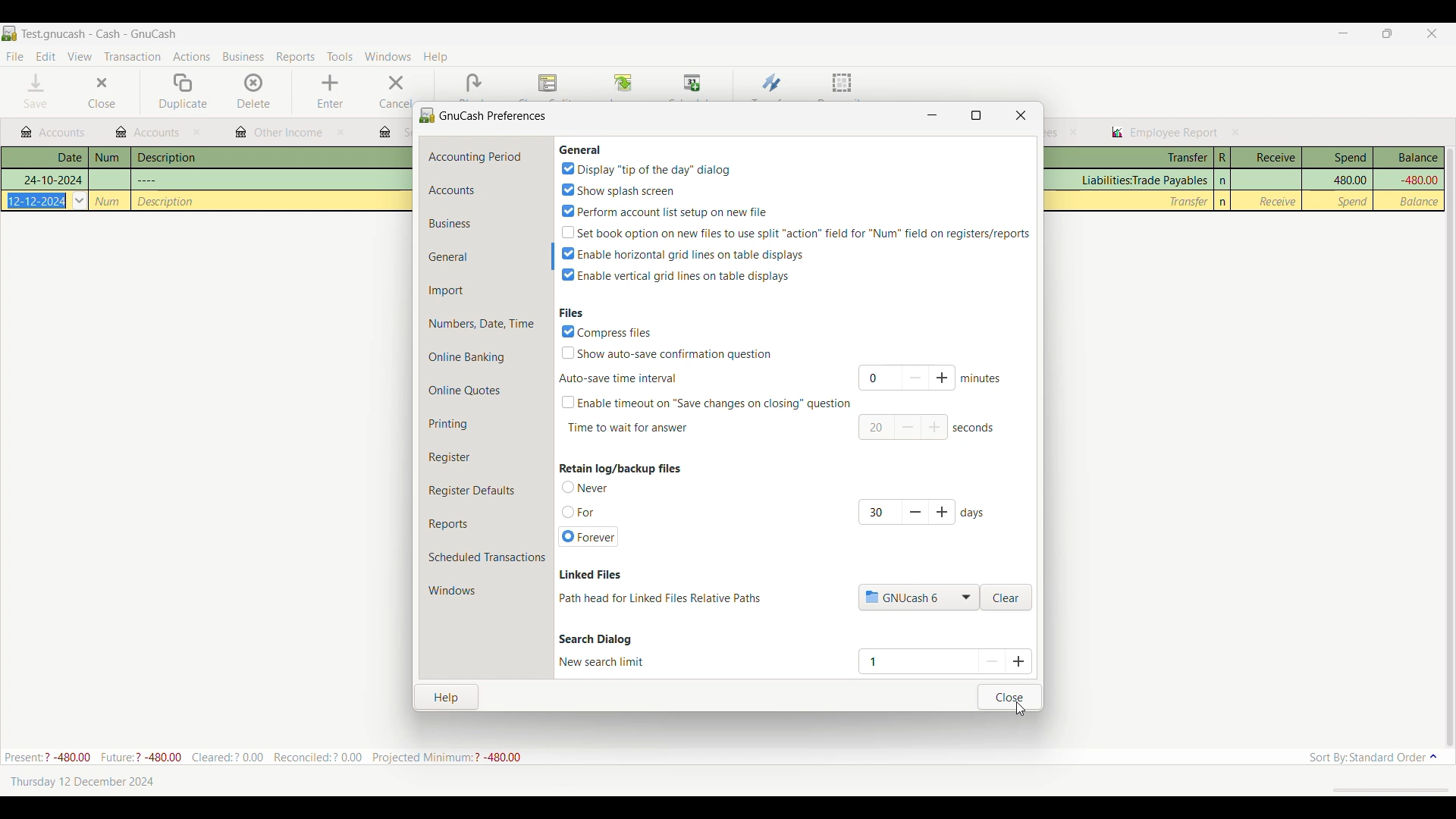 The width and height of the screenshot is (1456, 819). I want to click on value, so click(872, 428).